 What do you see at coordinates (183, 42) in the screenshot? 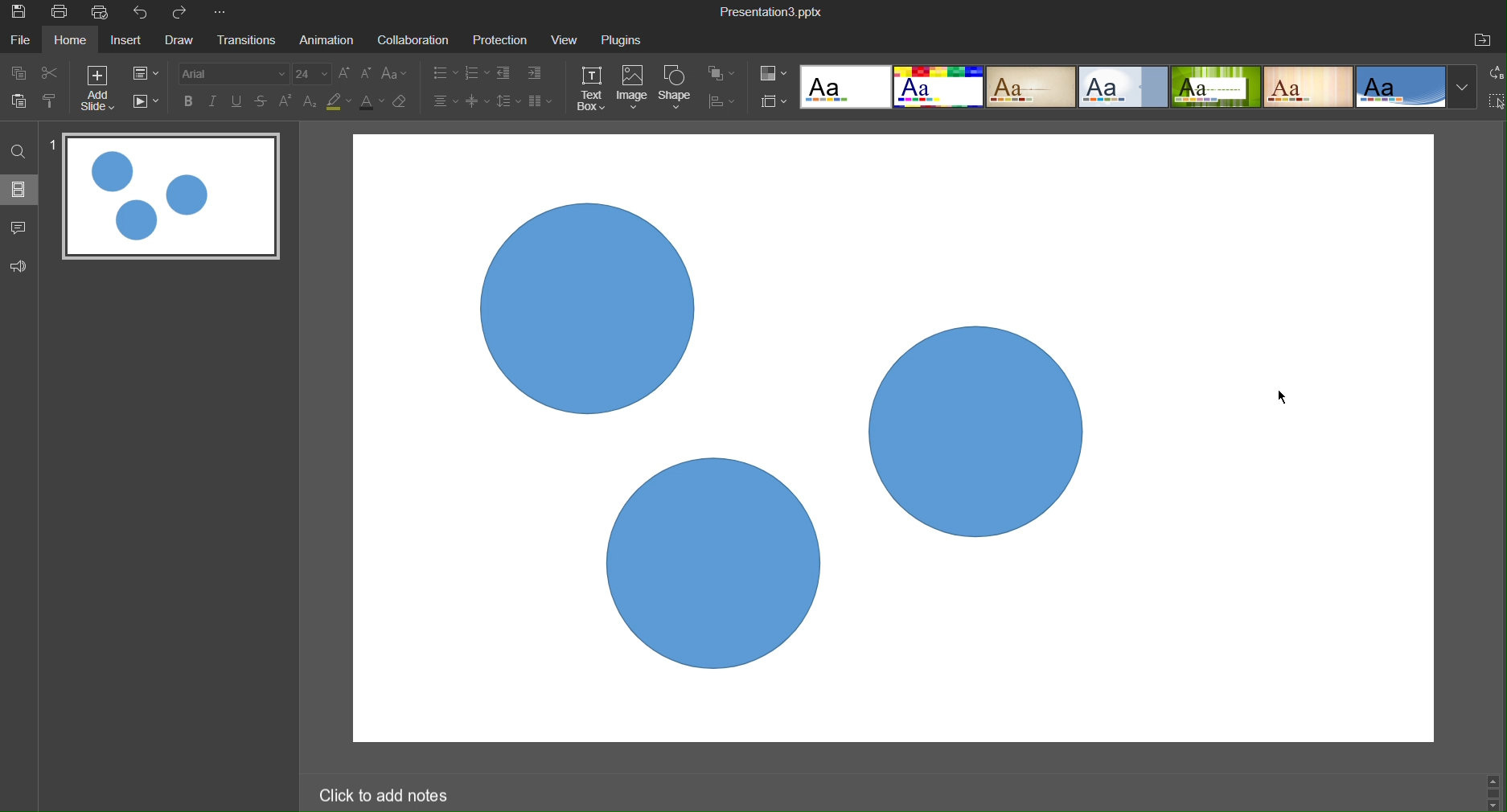
I see `Draw` at bounding box center [183, 42].